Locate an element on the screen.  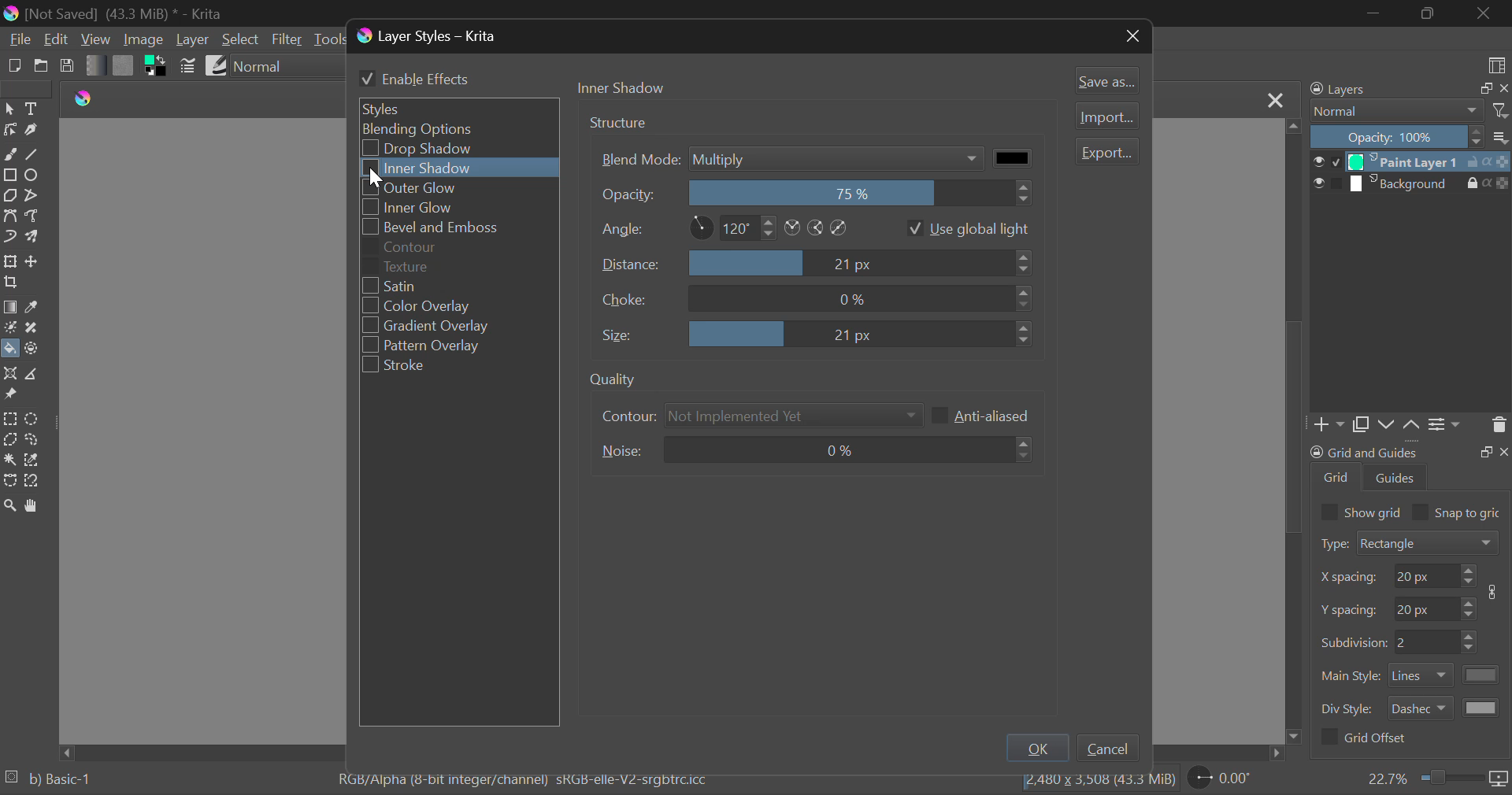
Window Title is located at coordinates (435, 36).